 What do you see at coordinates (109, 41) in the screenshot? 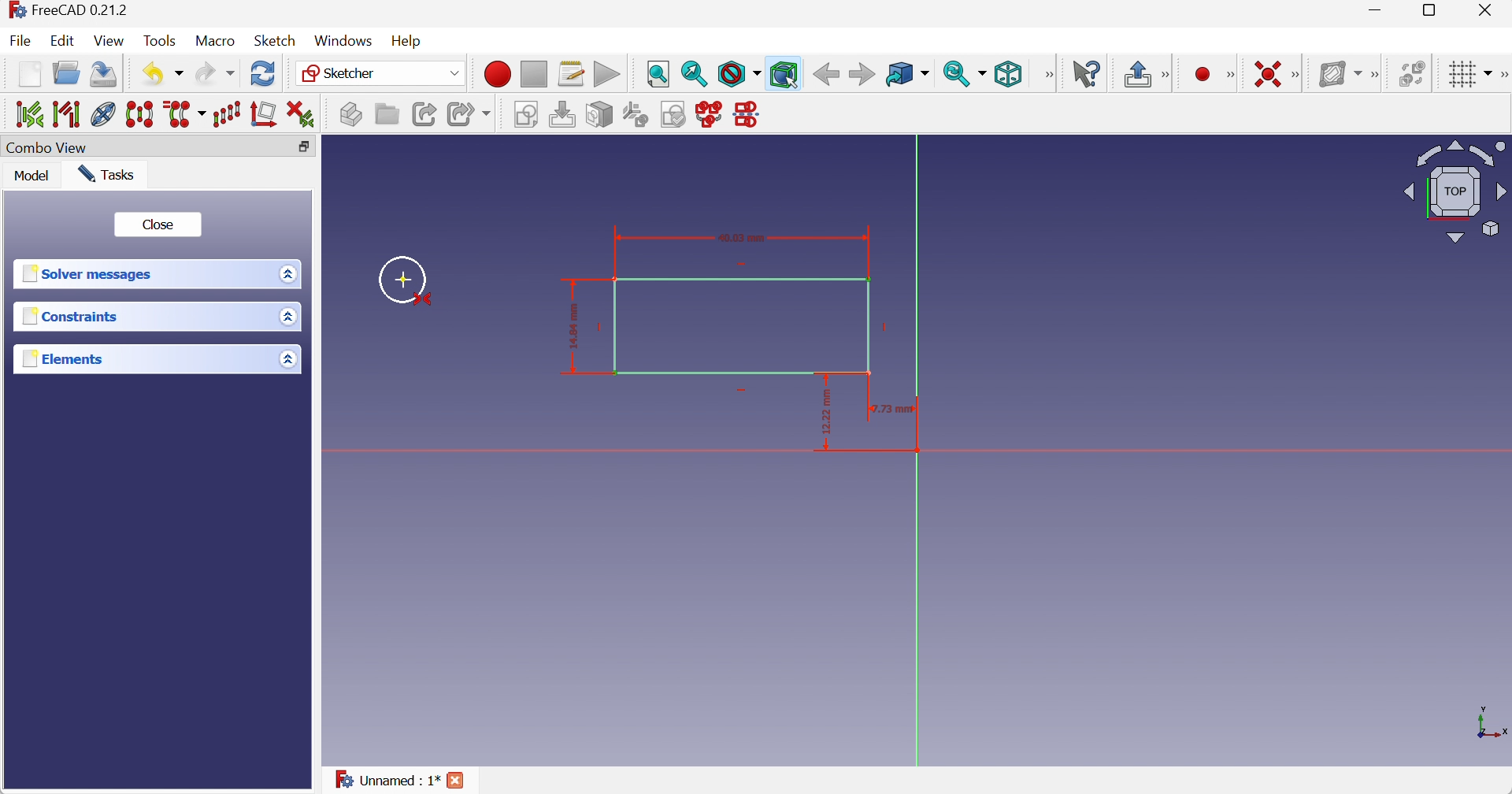
I see `View` at bounding box center [109, 41].